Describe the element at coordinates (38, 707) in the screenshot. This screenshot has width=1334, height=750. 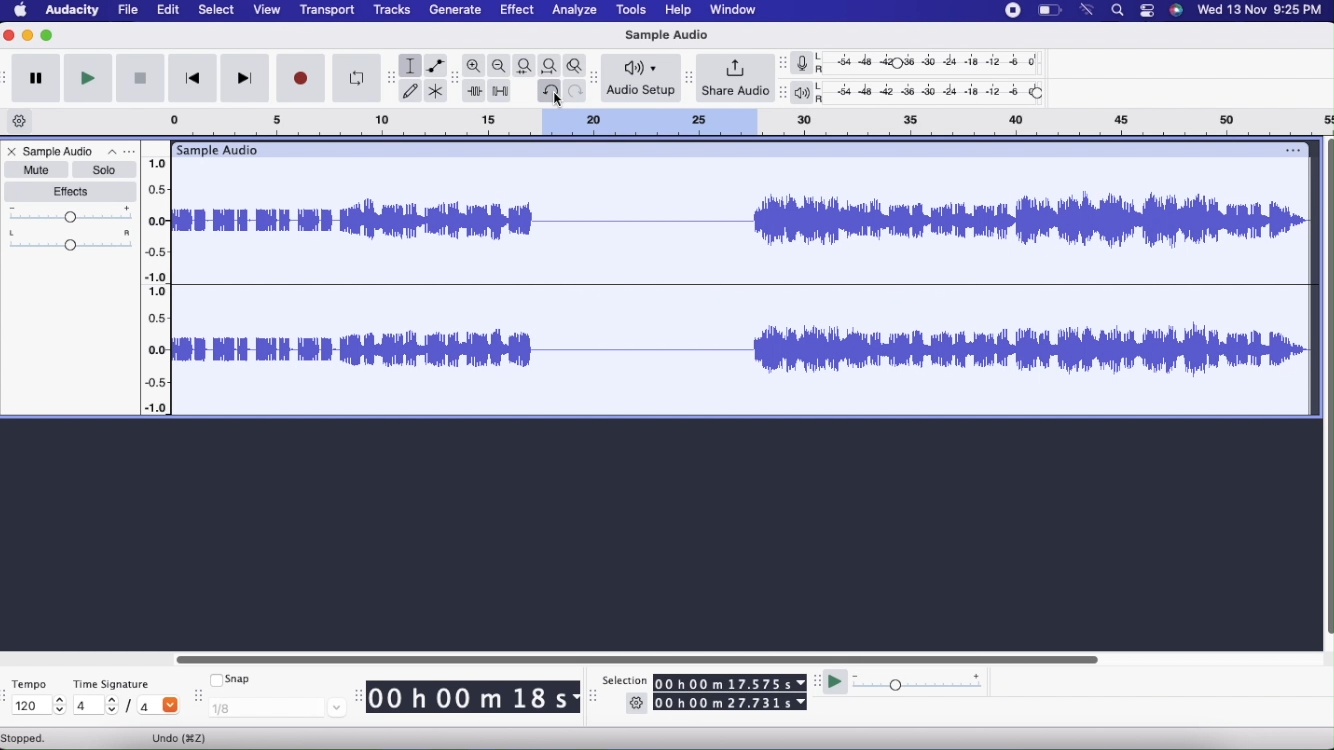
I see `120` at that location.